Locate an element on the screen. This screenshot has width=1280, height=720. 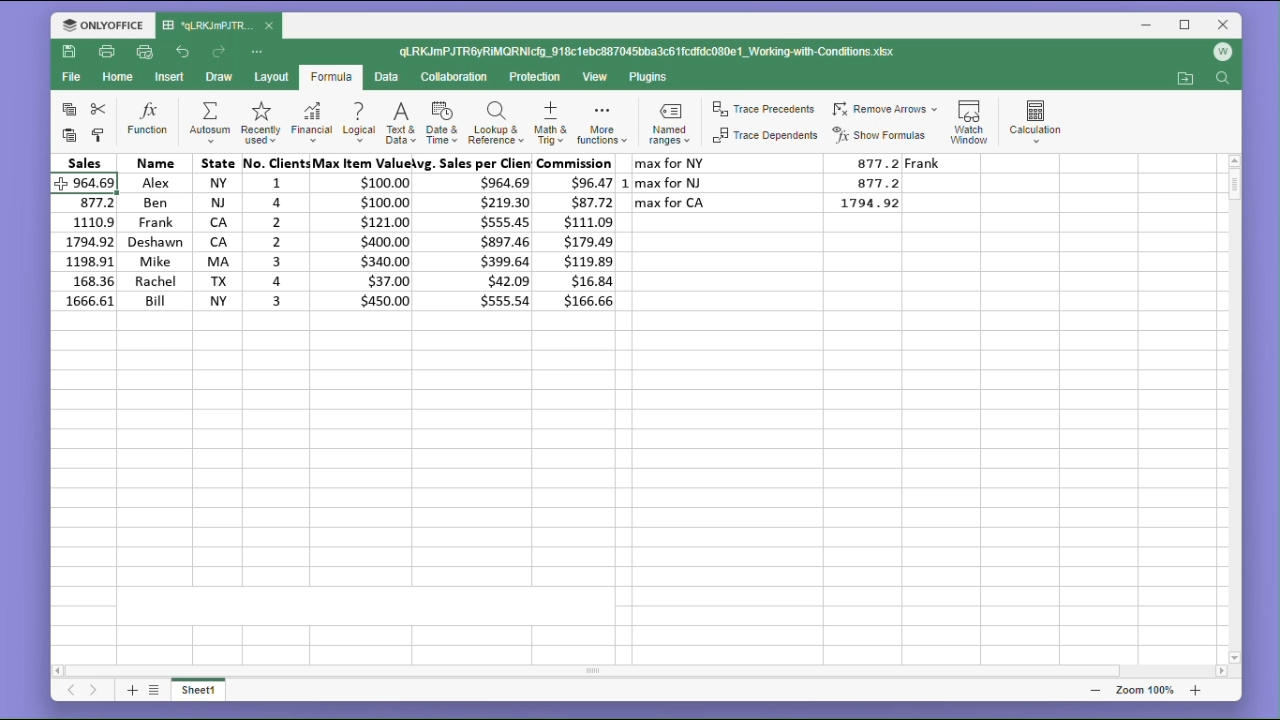
cursor is located at coordinates (61, 182).